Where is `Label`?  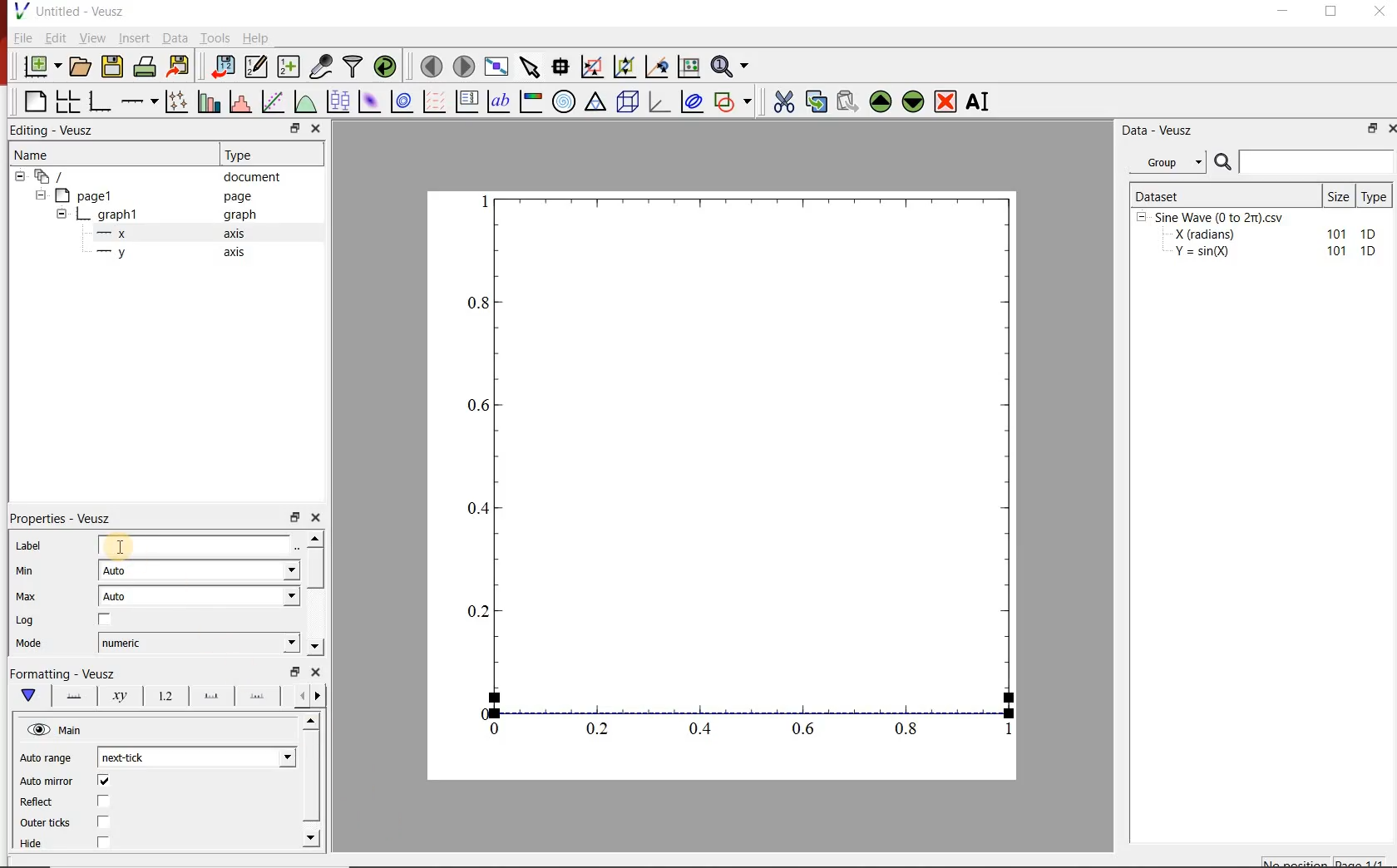
Label is located at coordinates (29, 545).